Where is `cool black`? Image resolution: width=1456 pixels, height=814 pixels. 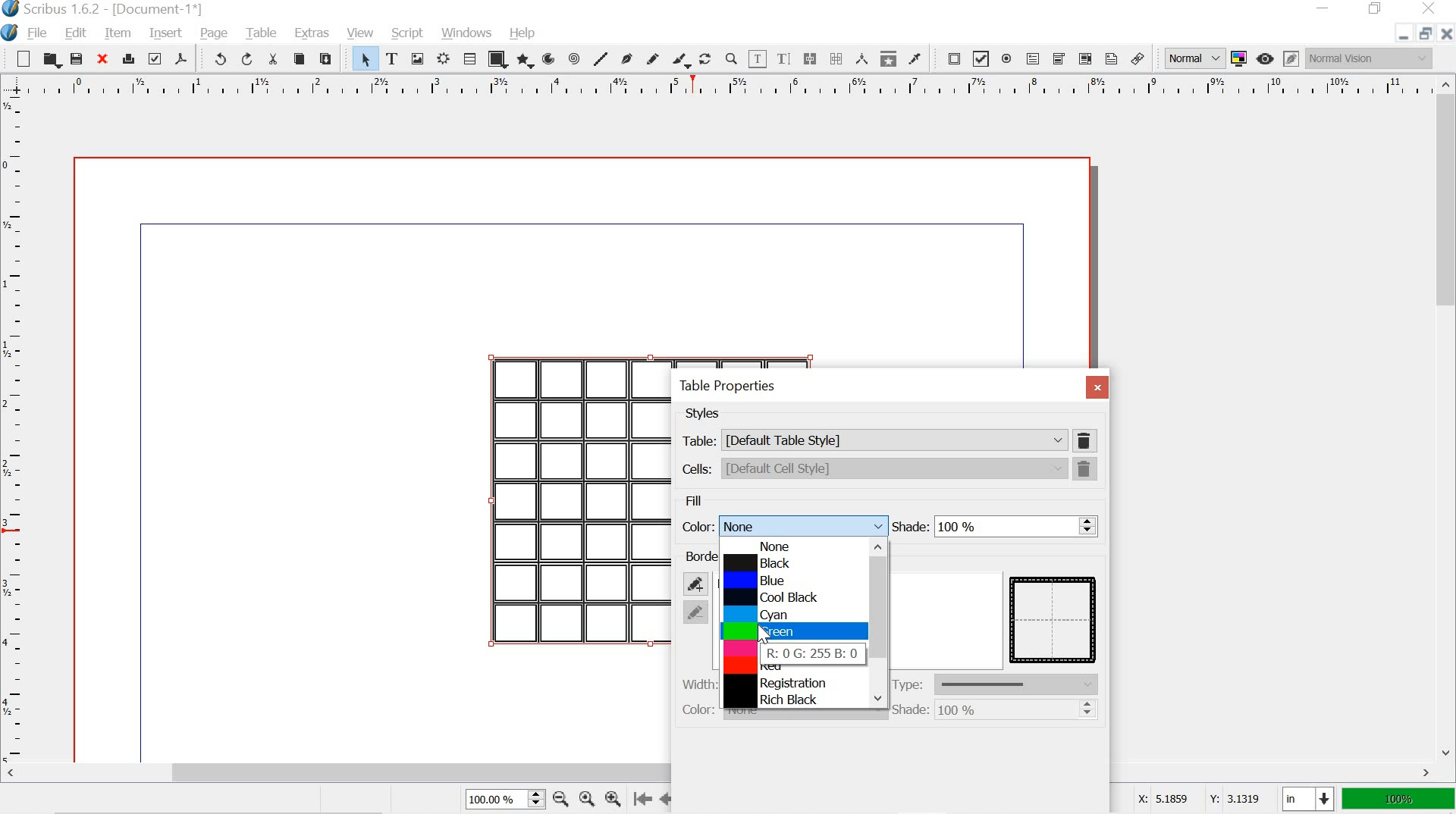
cool black is located at coordinates (773, 598).